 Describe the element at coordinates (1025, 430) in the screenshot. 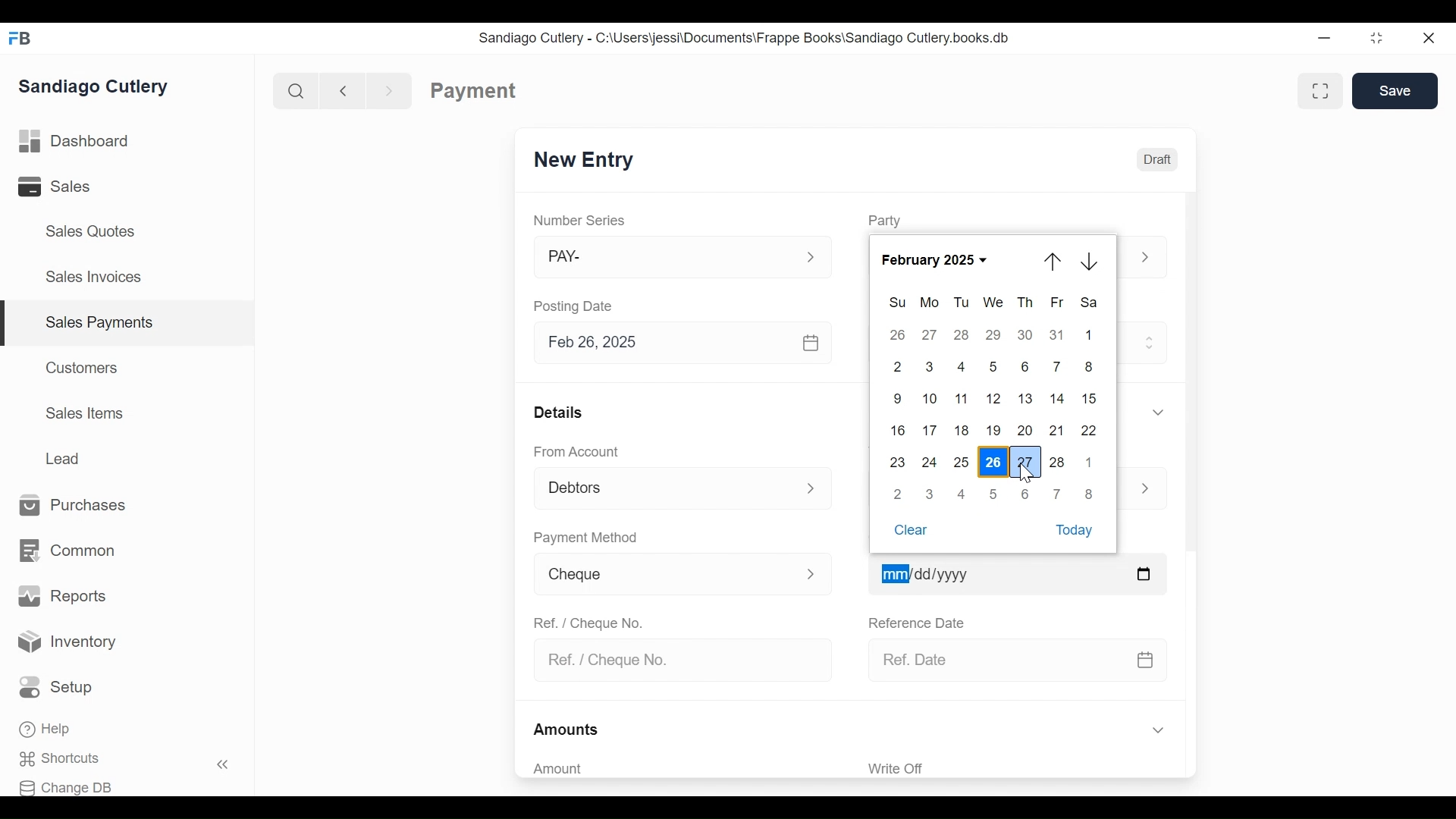

I see `20` at that location.